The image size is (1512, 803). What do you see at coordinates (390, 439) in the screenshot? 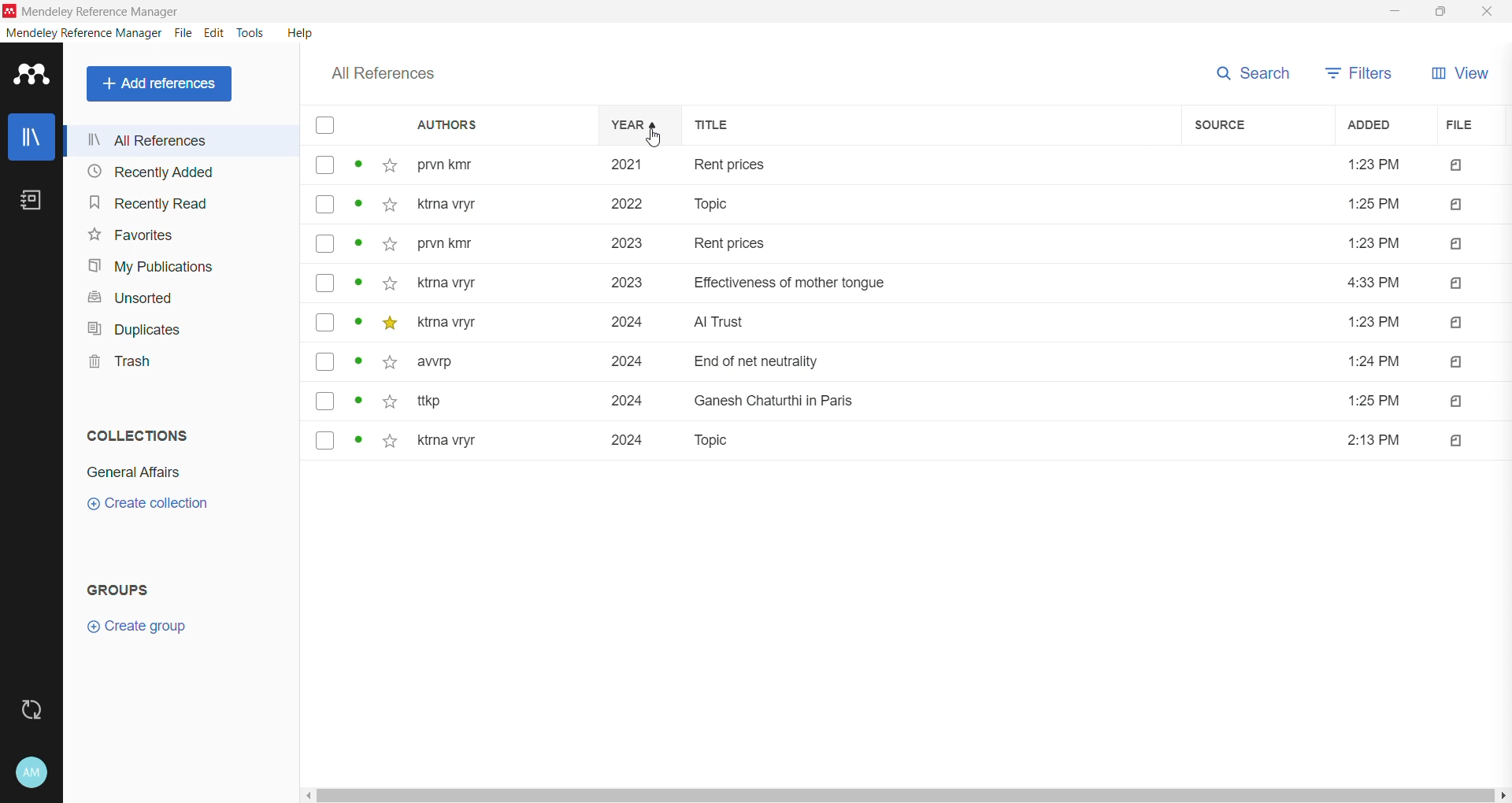
I see `click to add to favorites` at bounding box center [390, 439].